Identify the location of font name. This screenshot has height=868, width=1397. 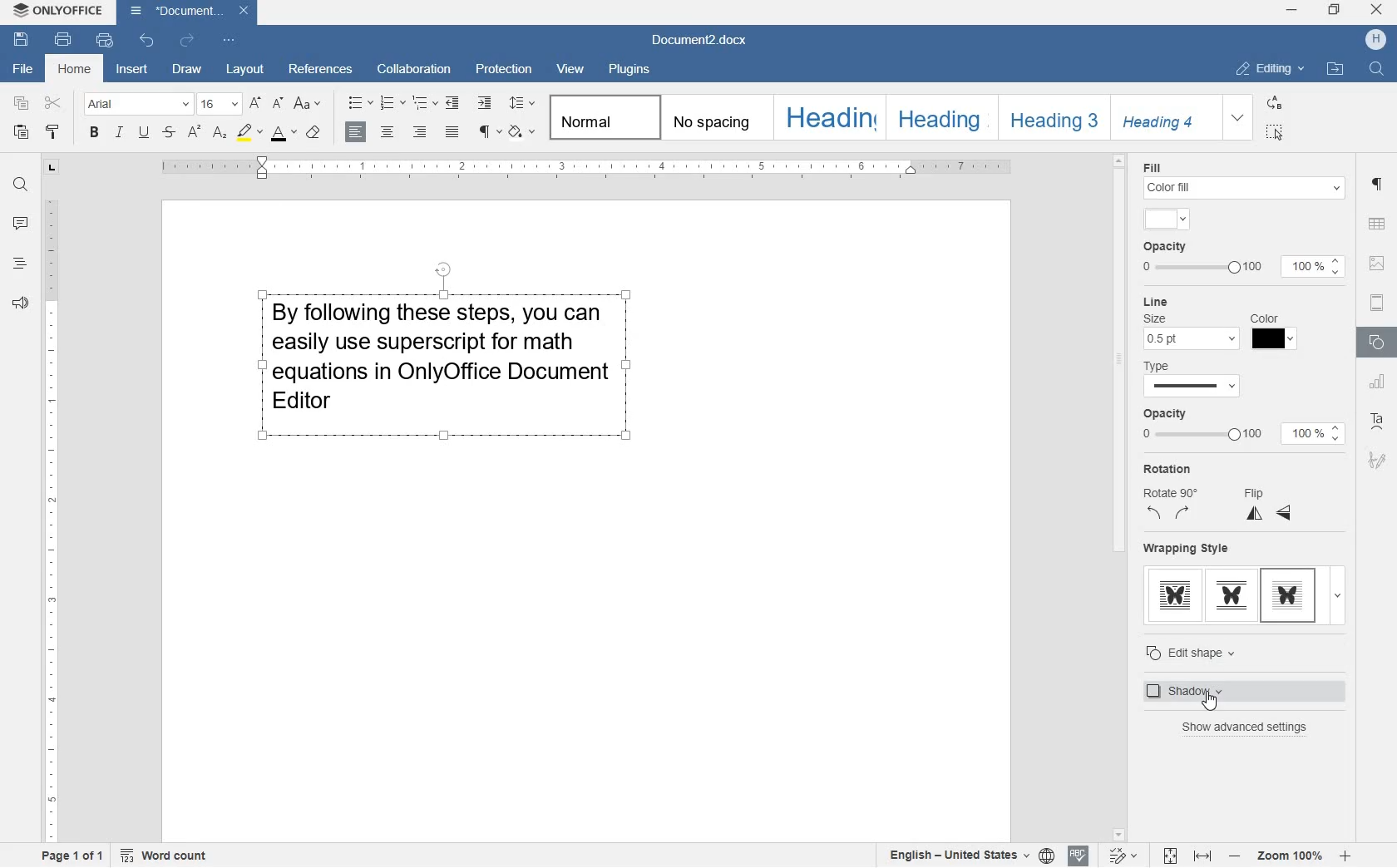
(135, 103).